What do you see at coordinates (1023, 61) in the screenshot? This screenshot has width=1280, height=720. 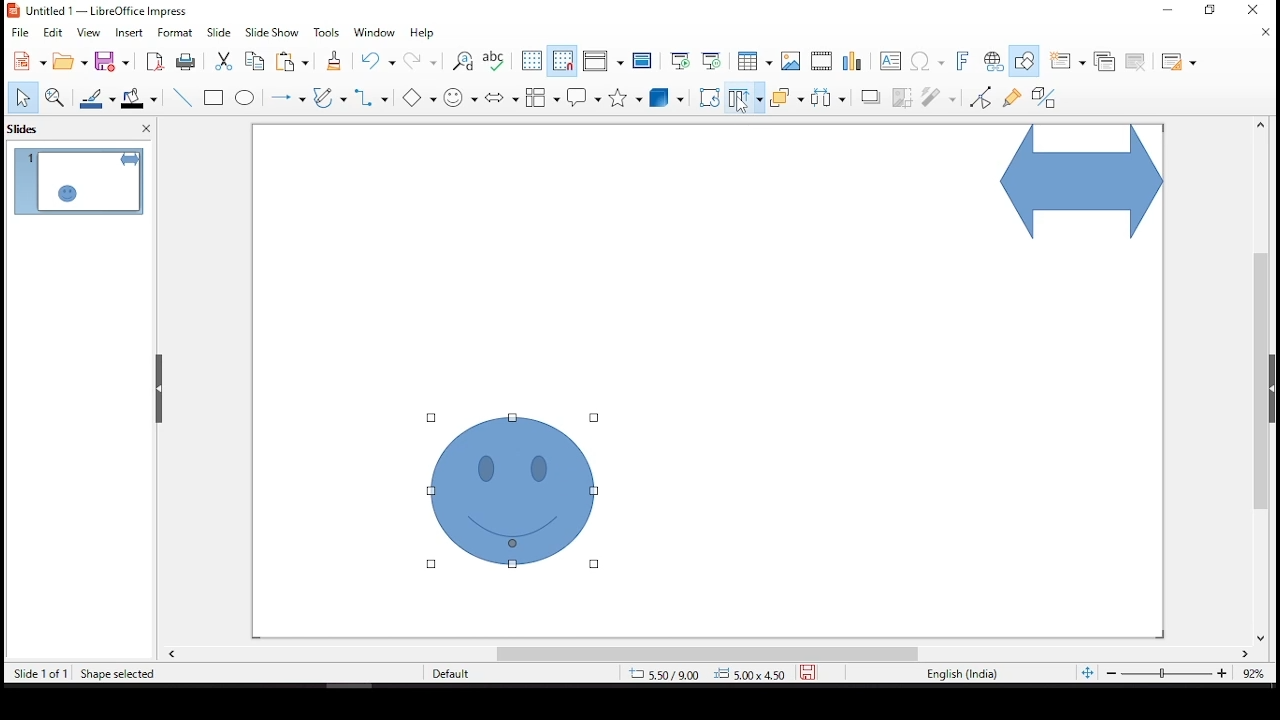 I see `show draw functions` at bounding box center [1023, 61].